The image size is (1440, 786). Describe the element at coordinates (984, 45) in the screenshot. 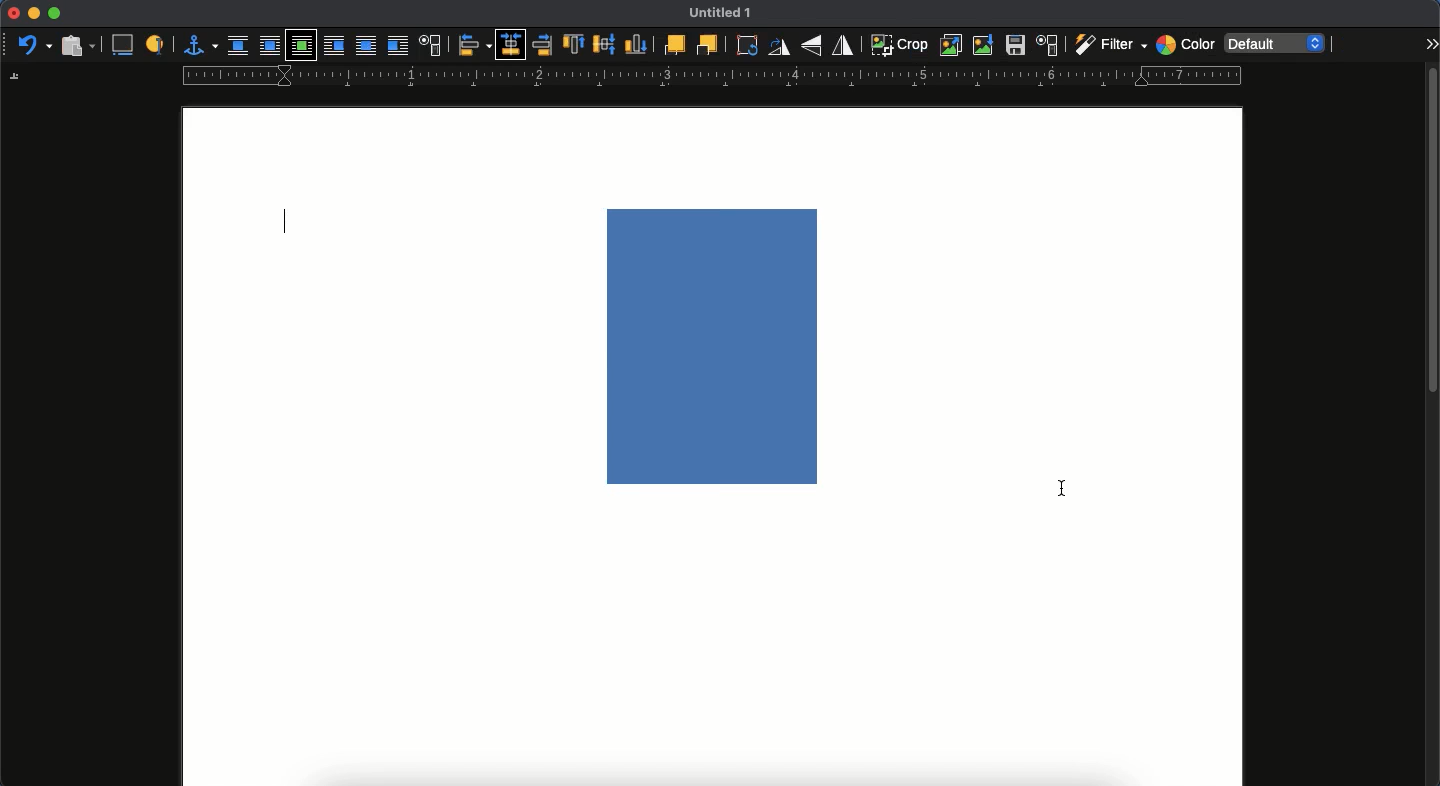

I see `compress` at that location.